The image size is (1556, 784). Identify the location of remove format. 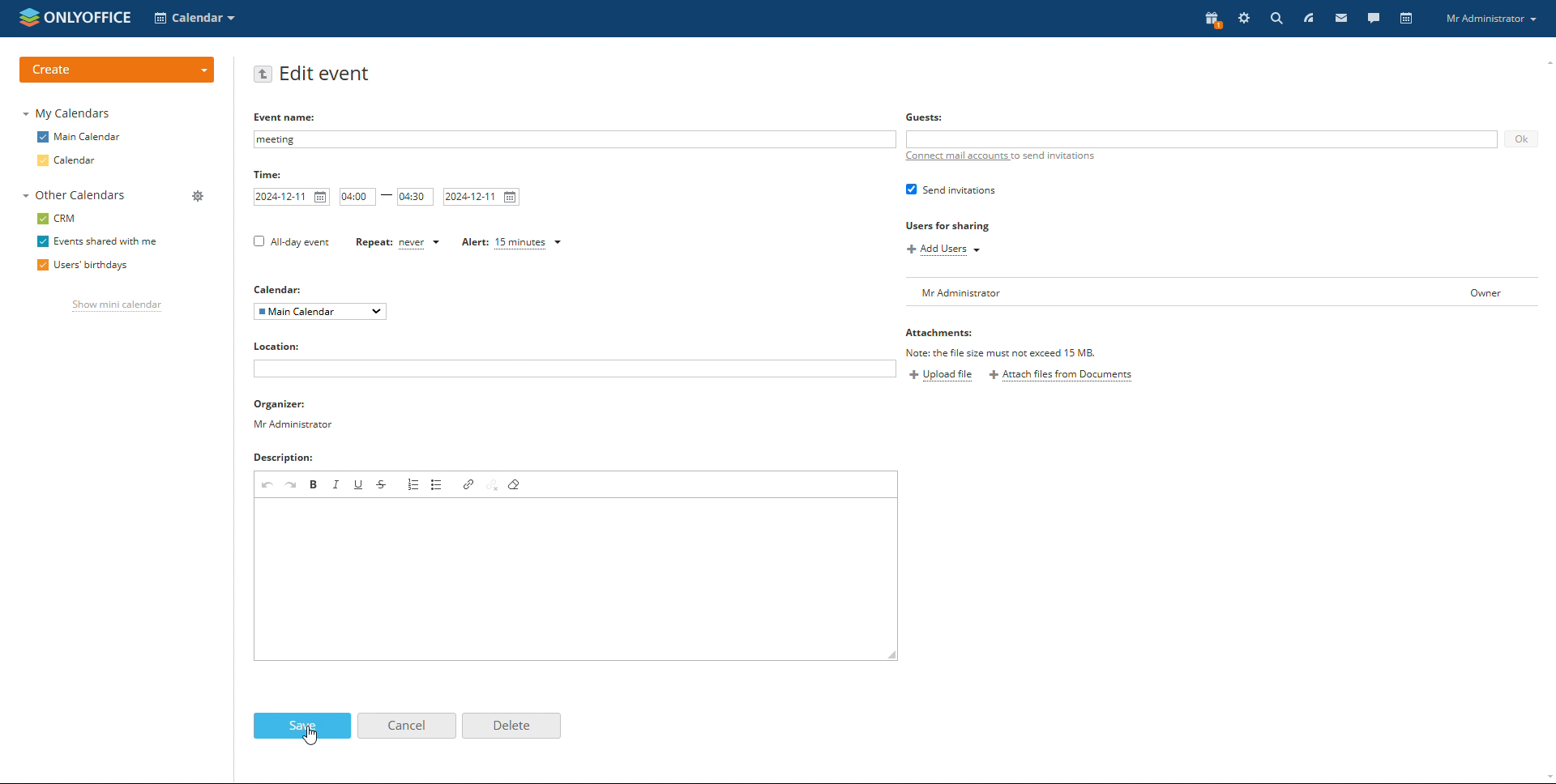
(515, 485).